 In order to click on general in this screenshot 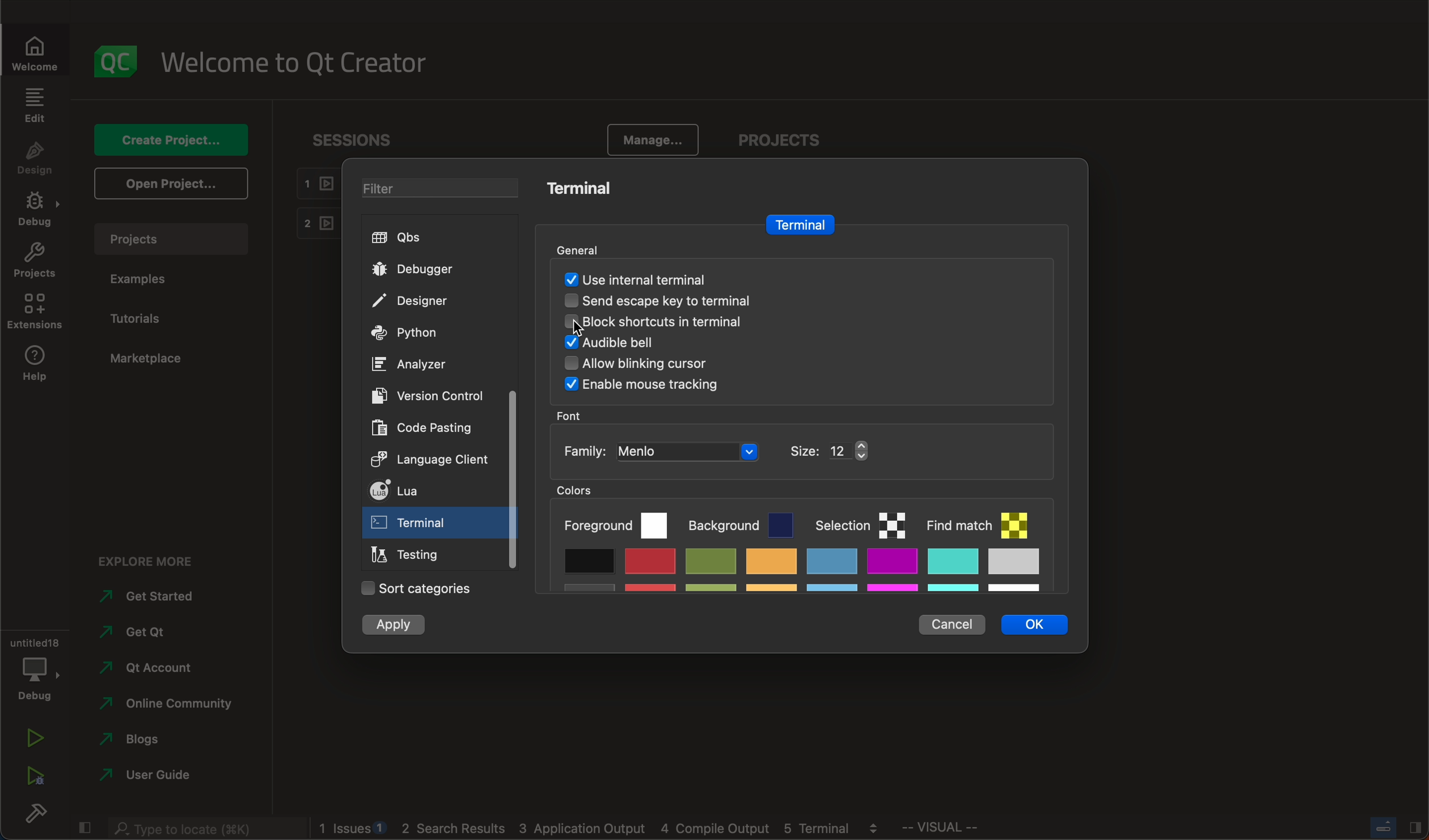, I will do `click(587, 245)`.